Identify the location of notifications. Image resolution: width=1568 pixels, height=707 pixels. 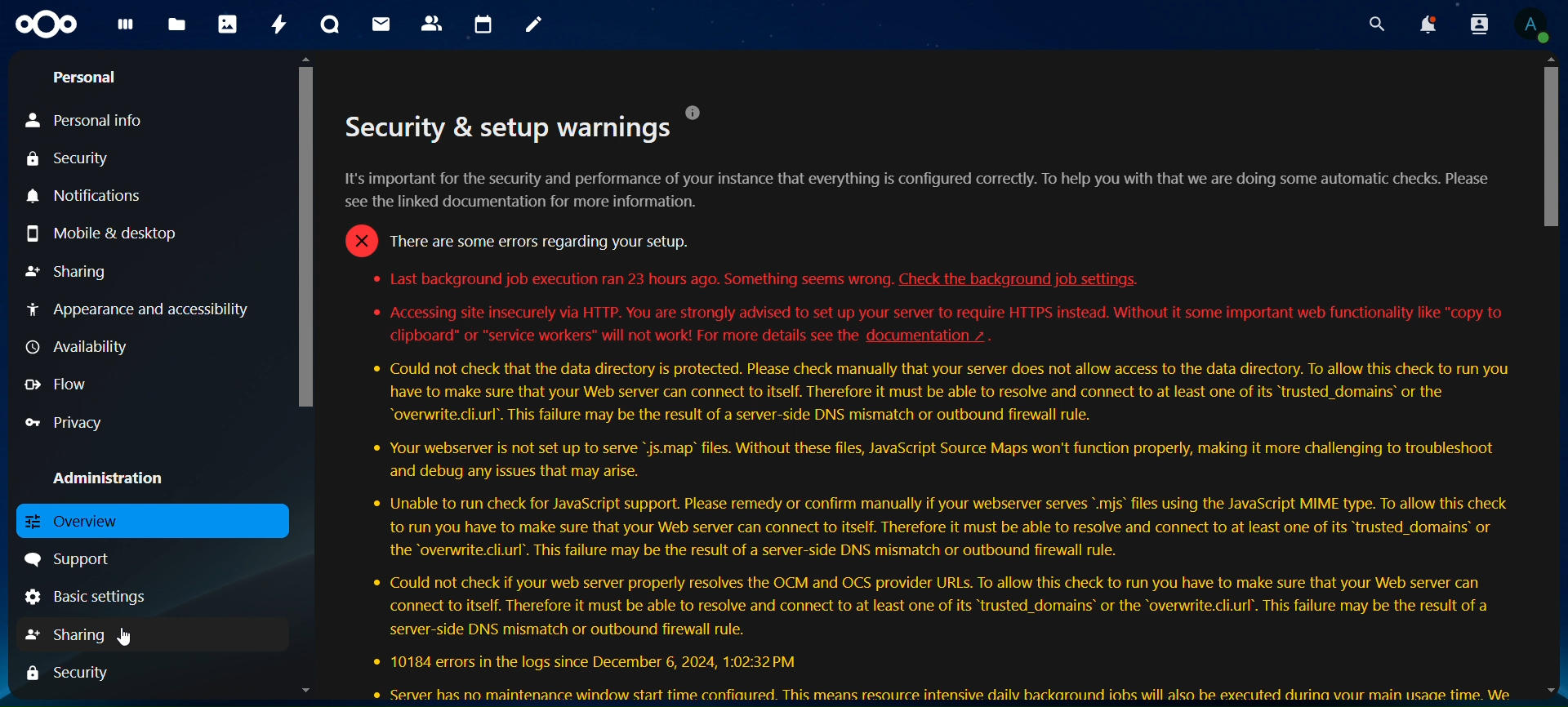
(1429, 24).